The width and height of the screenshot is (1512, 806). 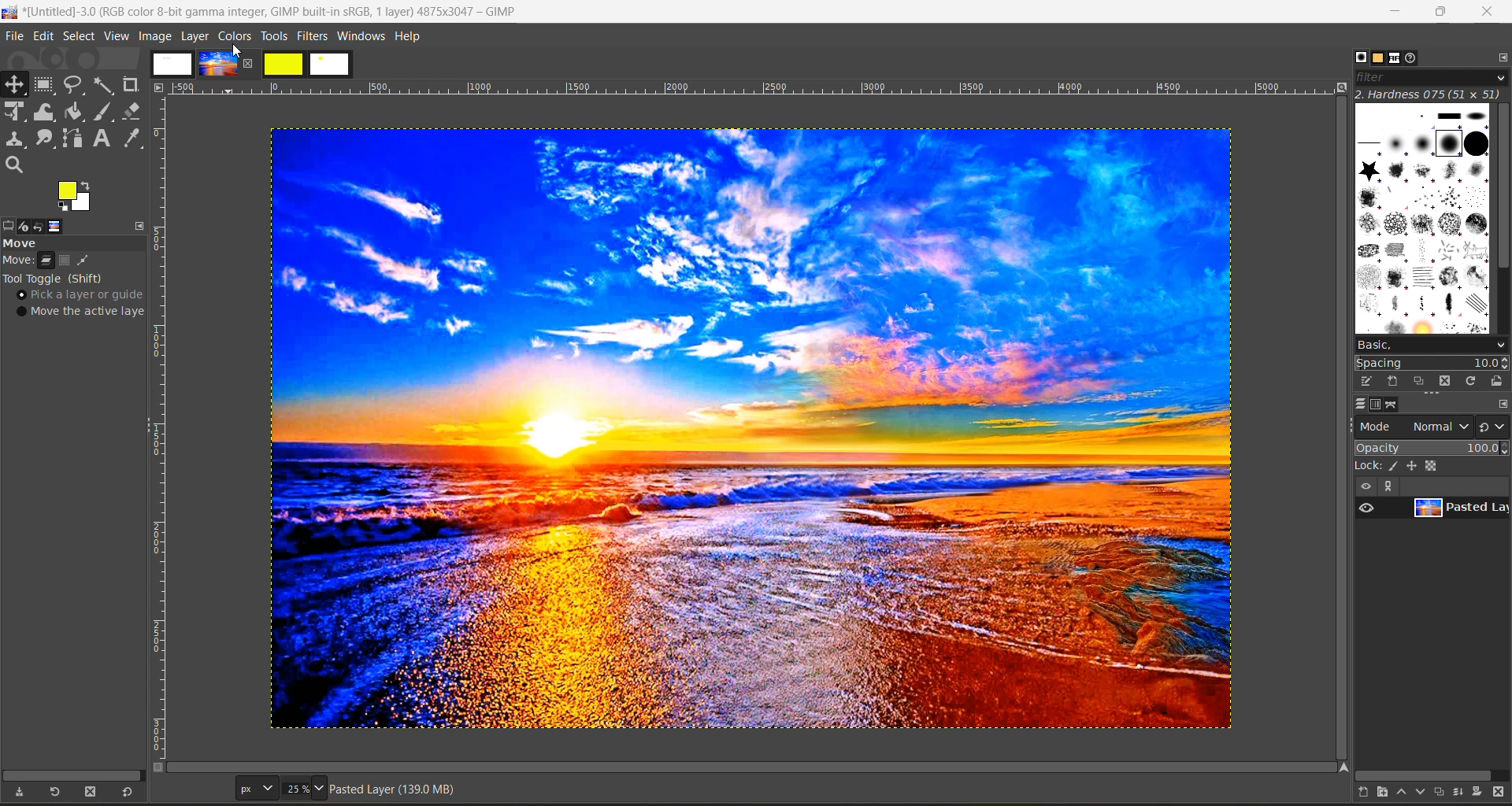 I want to click on channels, so click(x=1376, y=405).